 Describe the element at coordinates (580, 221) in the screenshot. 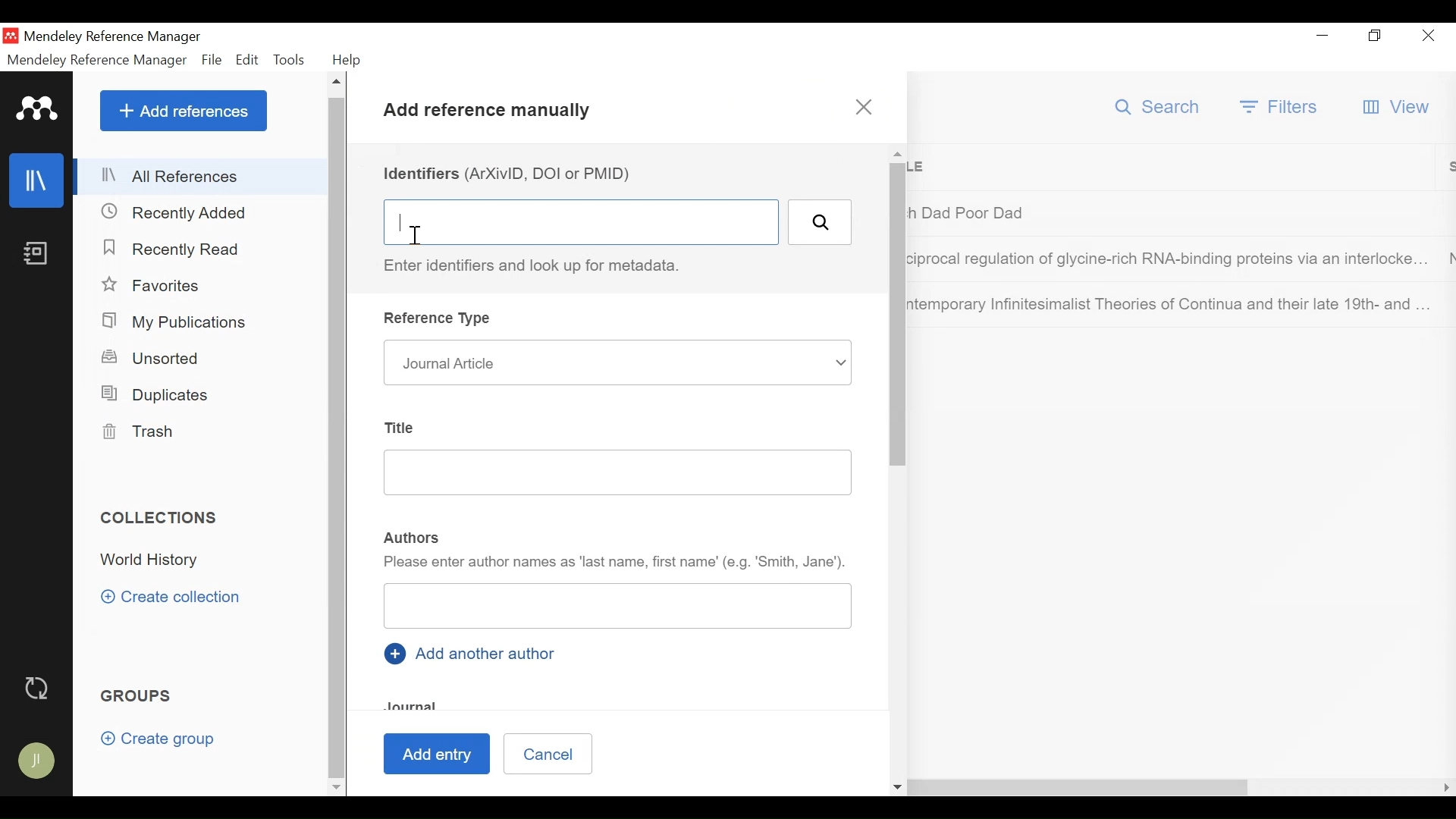

I see `Identifiers (DOI ArXivID or PMID) Field` at that location.